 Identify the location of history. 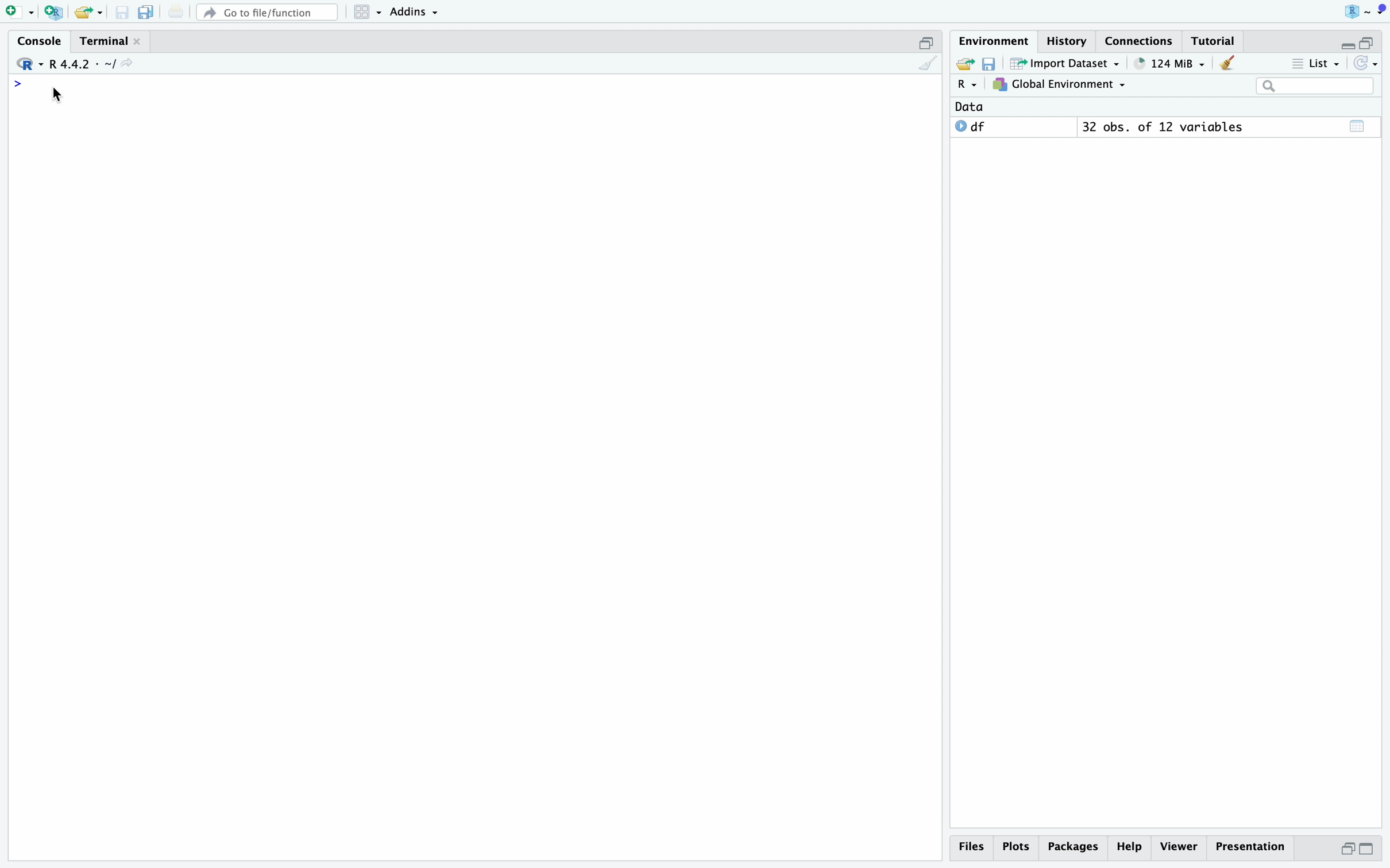
(1069, 41).